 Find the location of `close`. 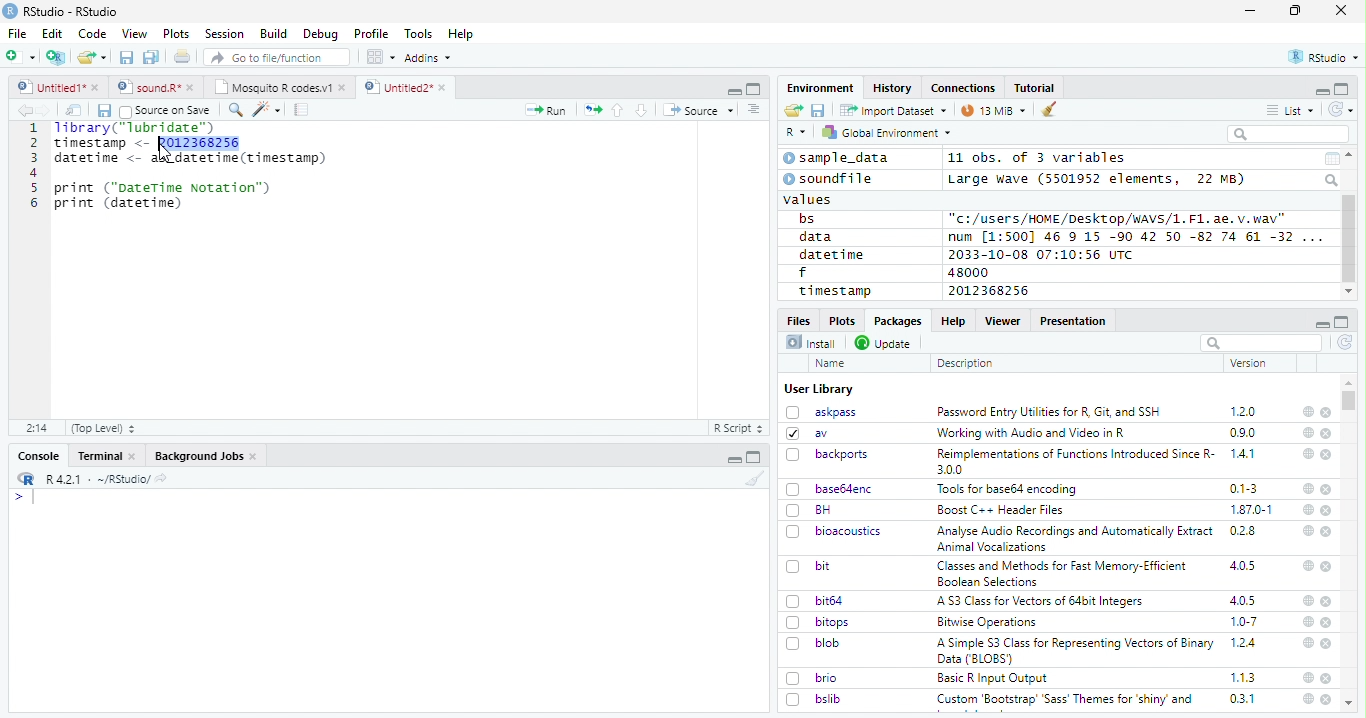

close is located at coordinates (1328, 510).